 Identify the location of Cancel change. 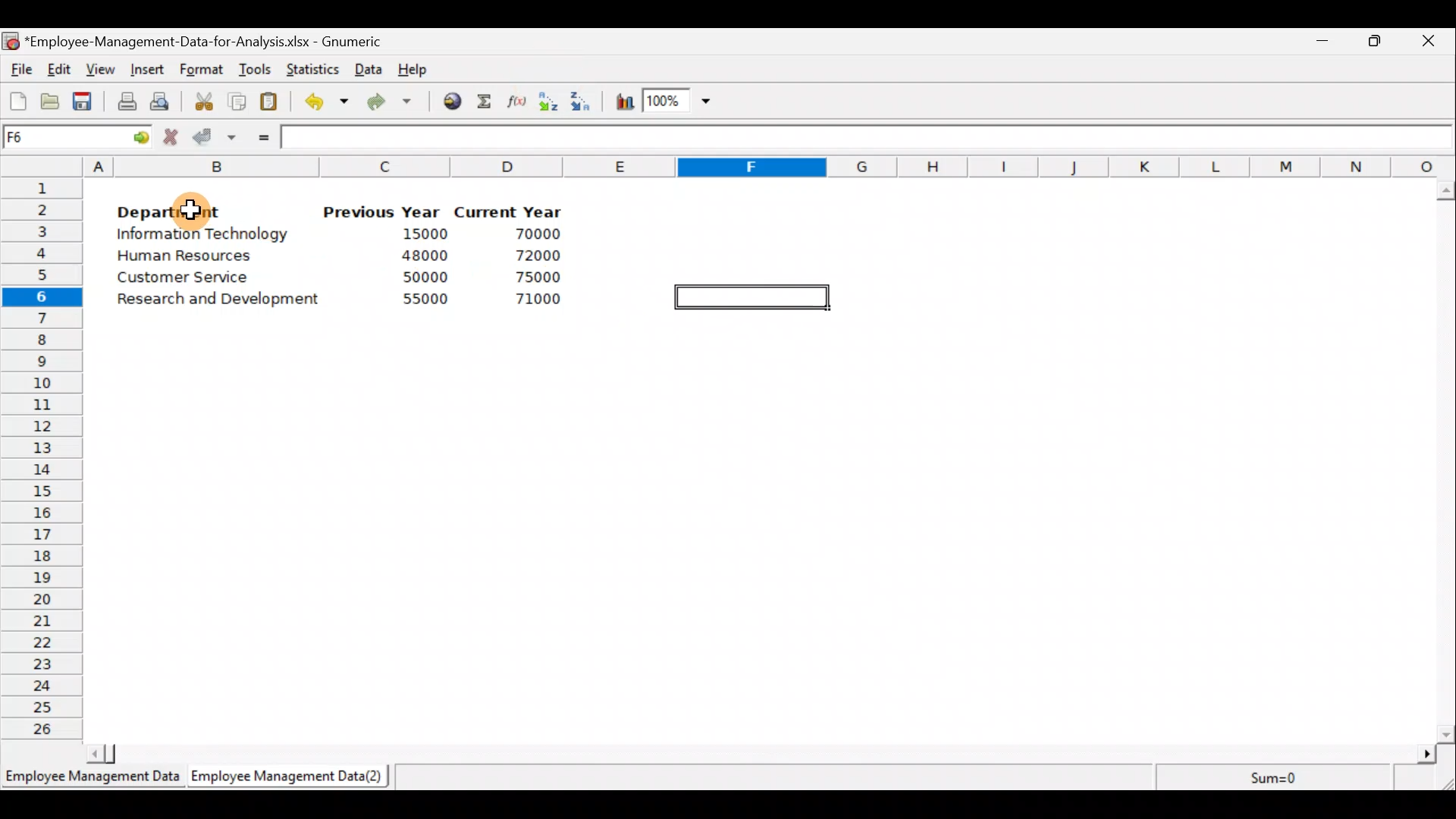
(173, 136).